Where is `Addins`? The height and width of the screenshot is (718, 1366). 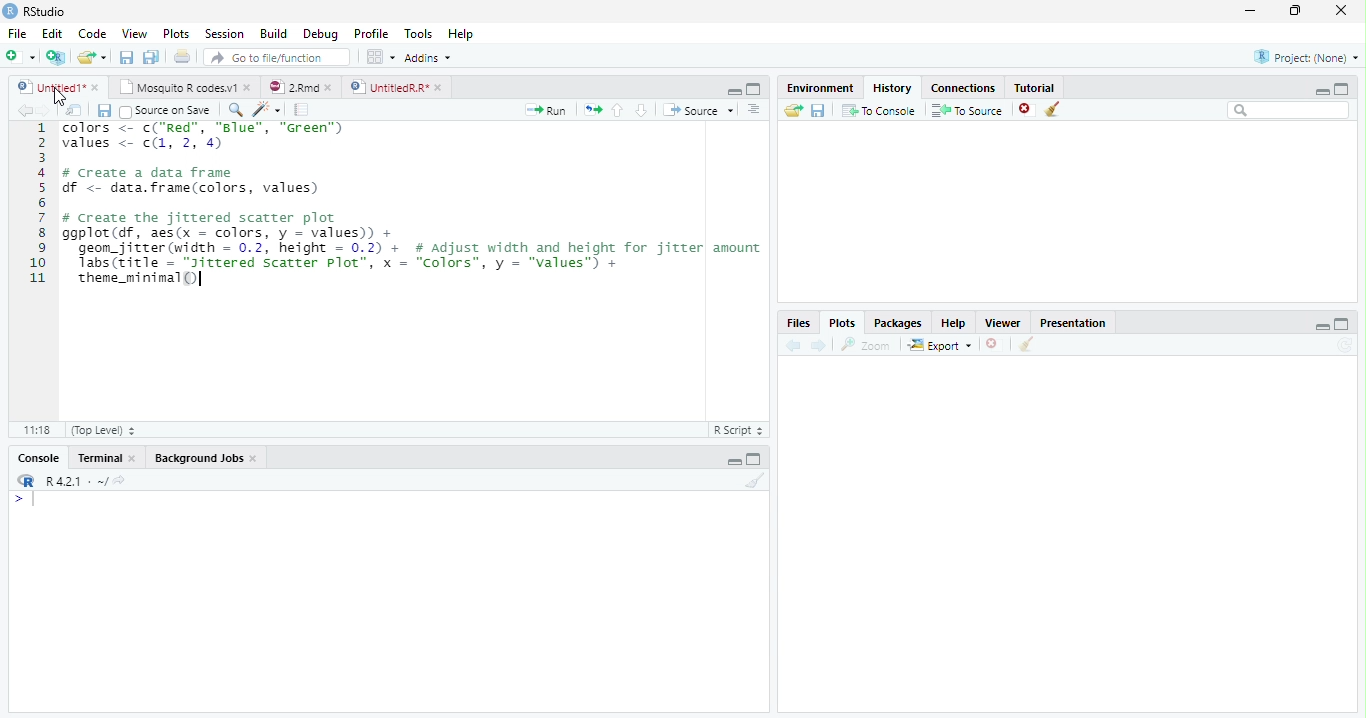 Addins is located at coordinates (428, 58).